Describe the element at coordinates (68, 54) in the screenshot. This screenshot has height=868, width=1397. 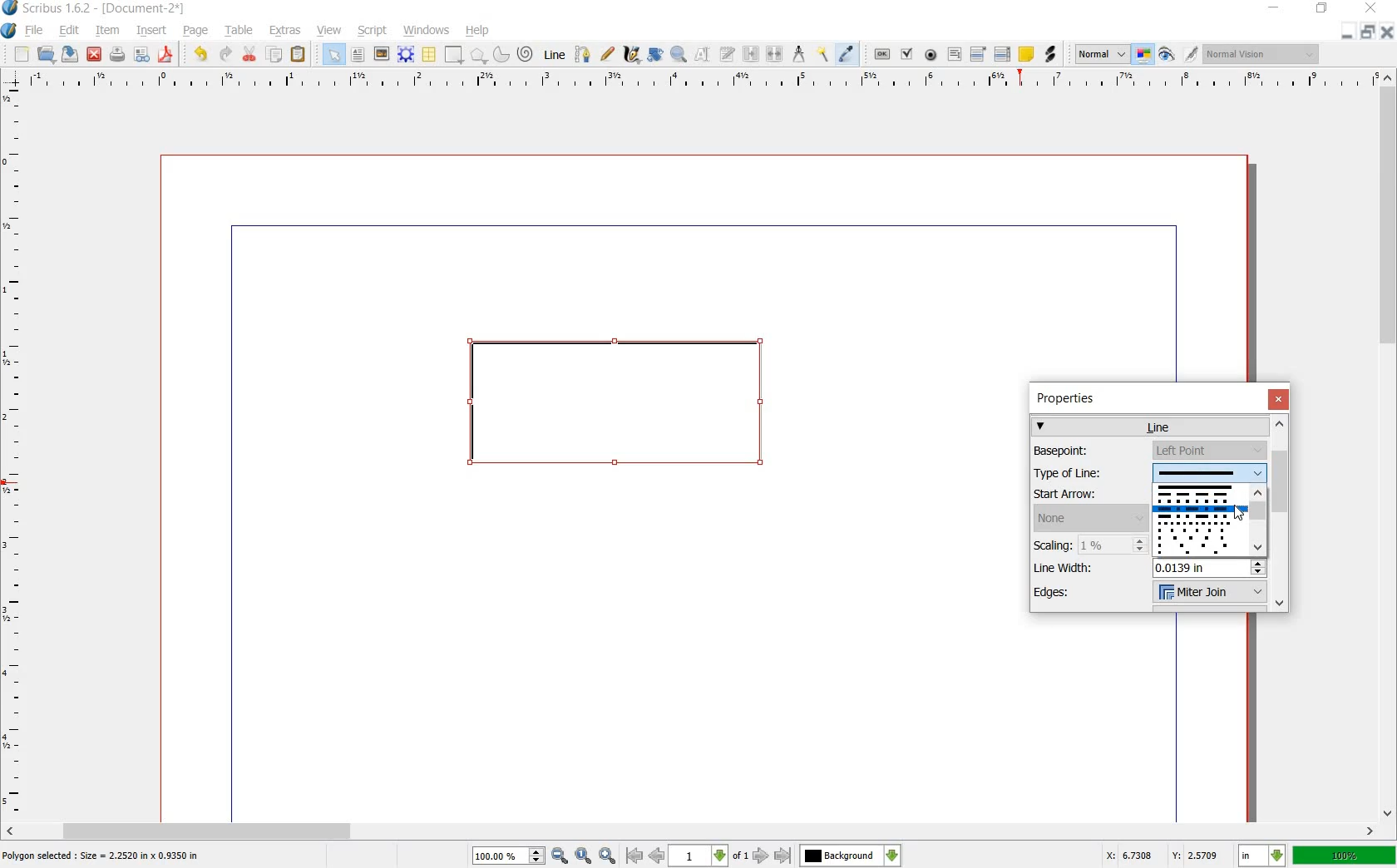
I see `SAVE` at that location.